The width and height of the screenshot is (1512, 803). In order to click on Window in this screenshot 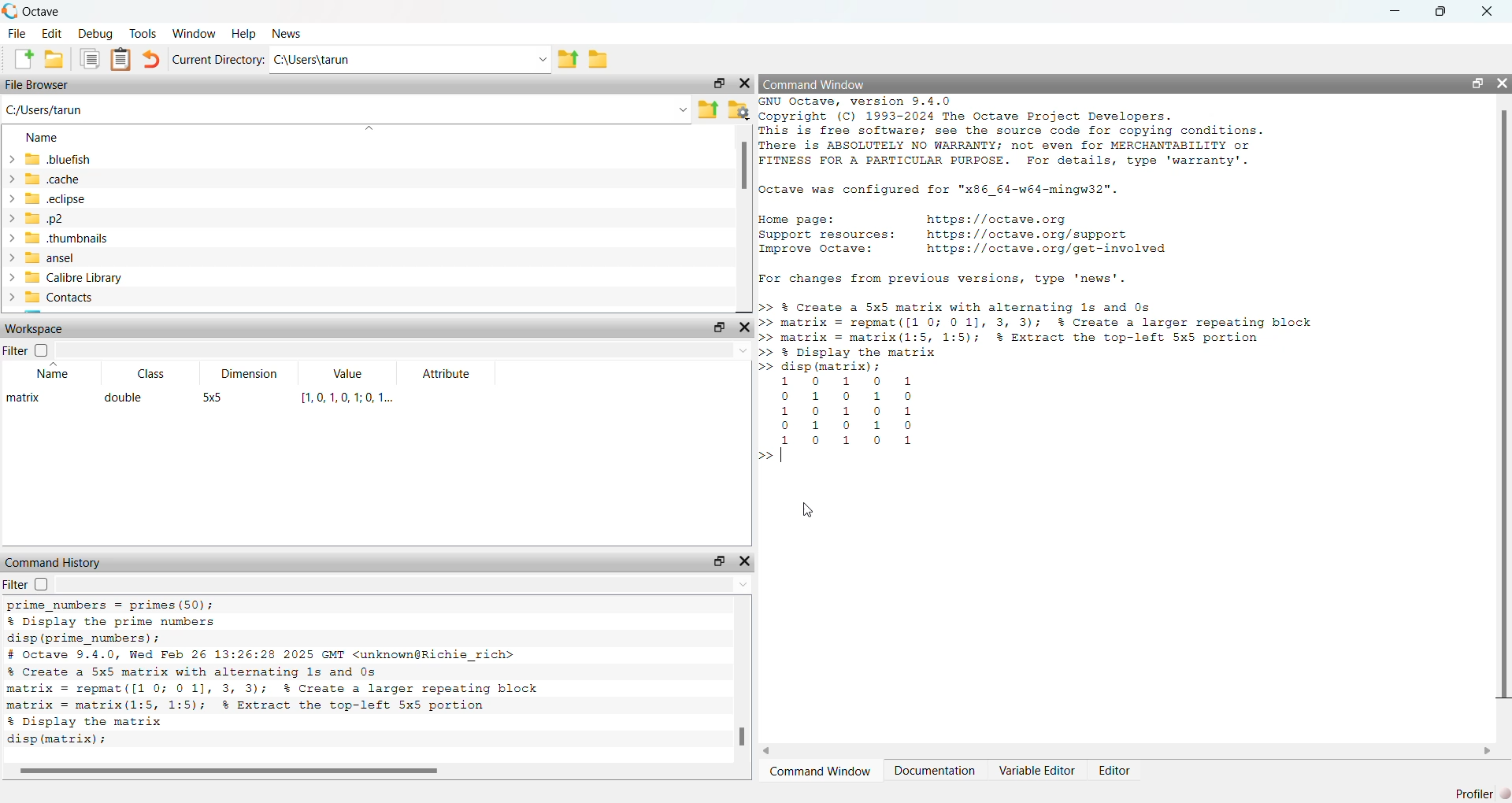, I will do `click(196, 33)`.